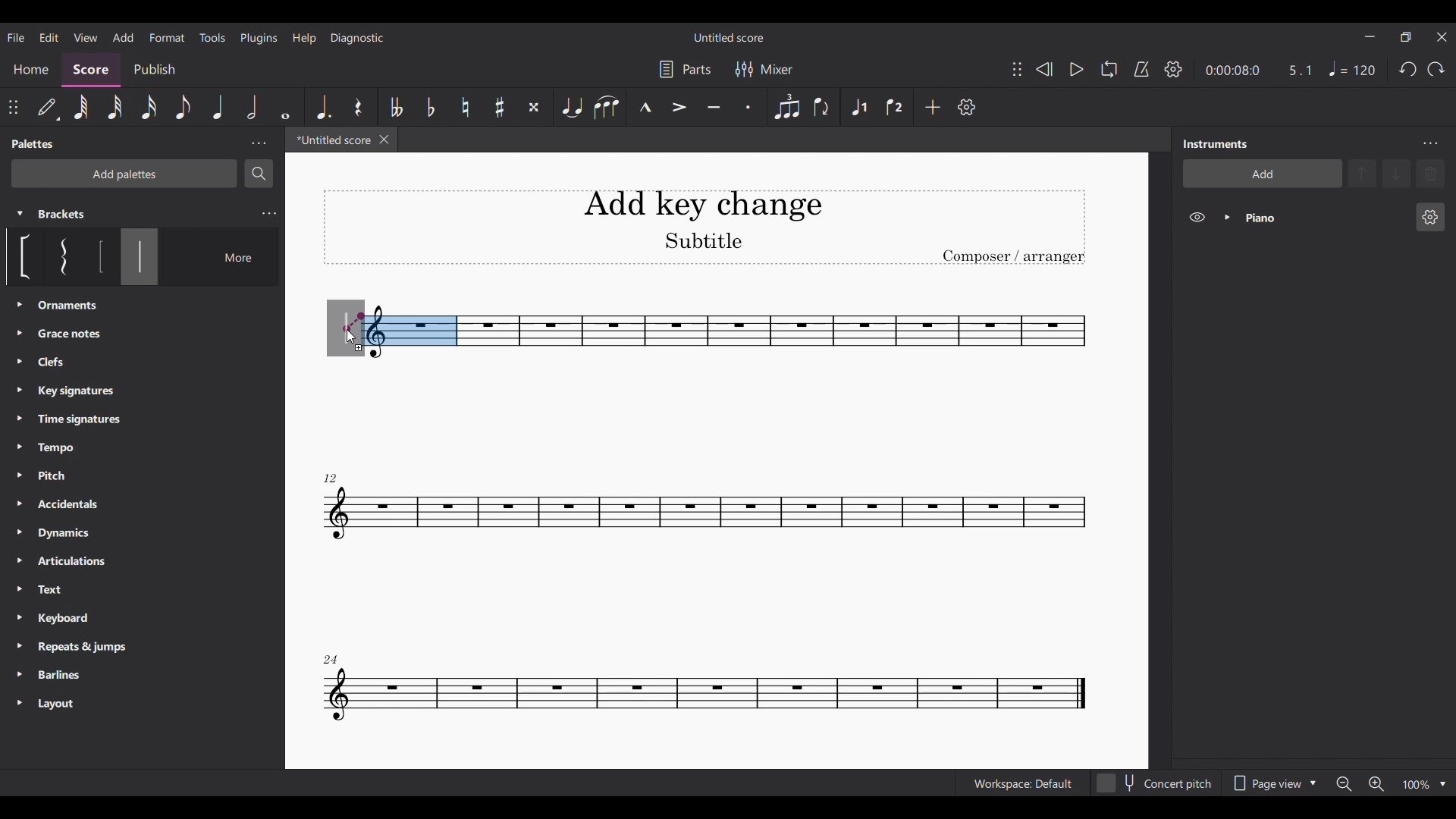  Describe the element at coordinates (933, 107) in the screenshot. I see `Add` at that location.